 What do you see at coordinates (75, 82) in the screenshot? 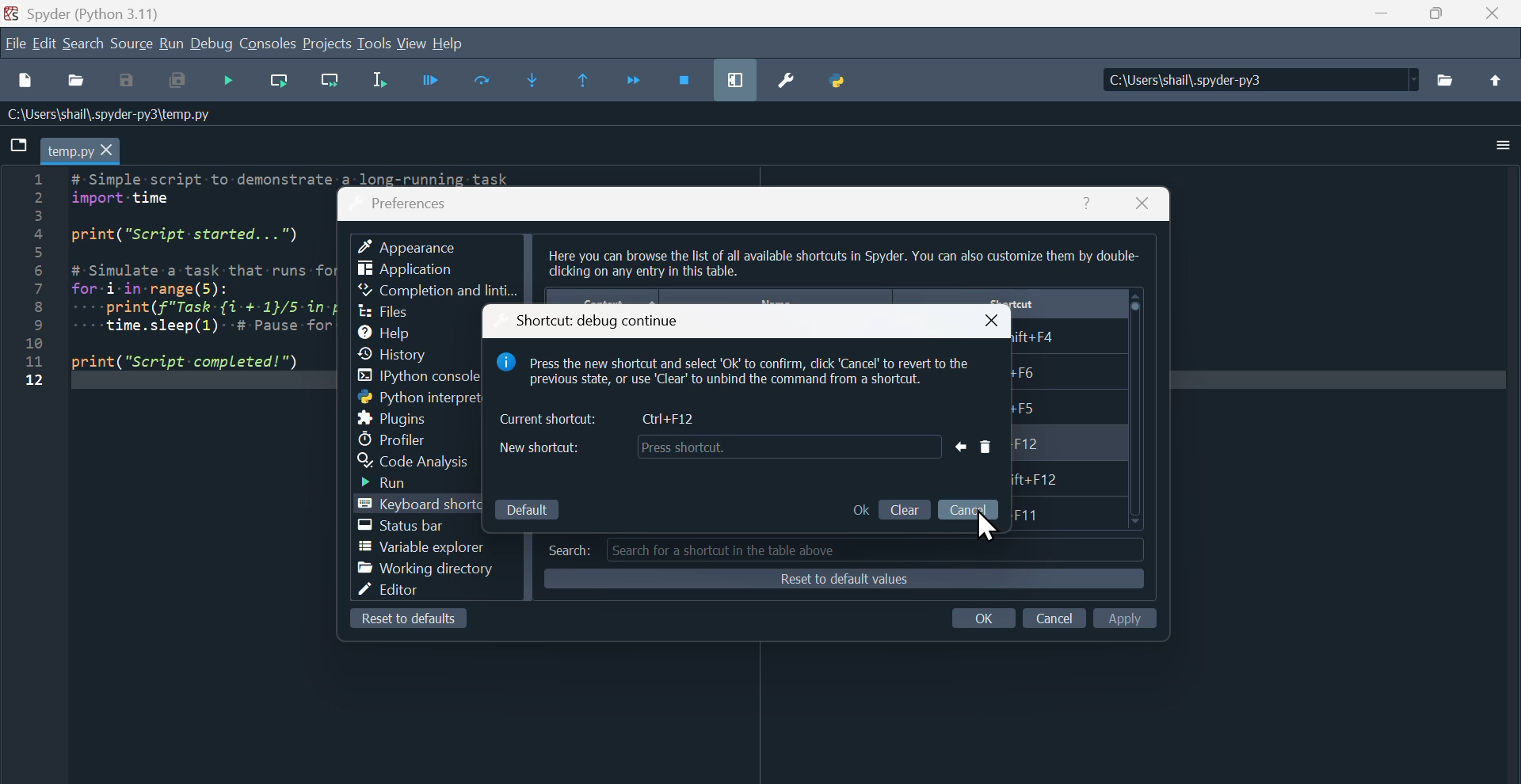
I see `Open file` at bounding box center [75, 82].